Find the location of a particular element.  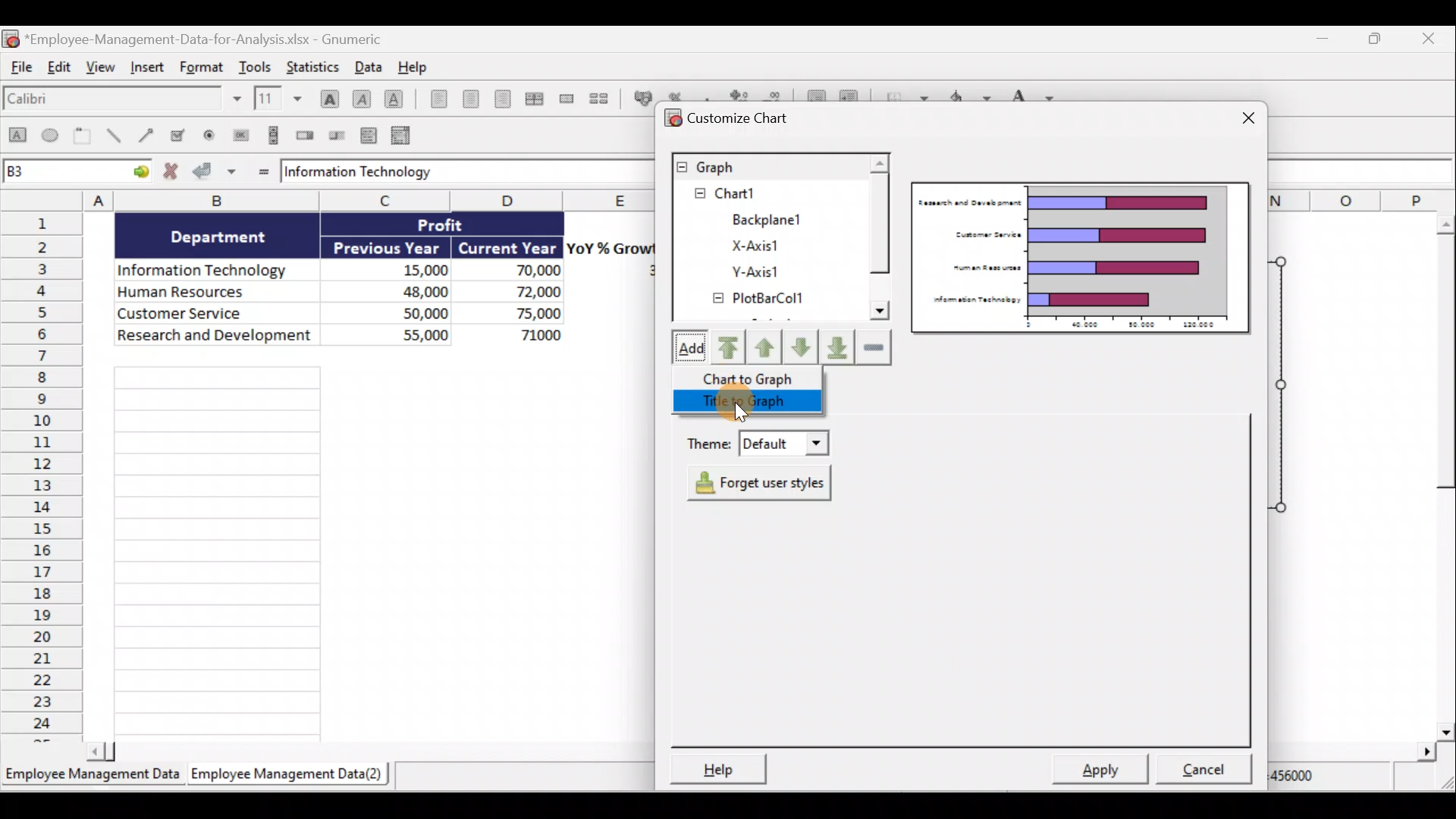

72,000 is located at coordinates (525, 293).